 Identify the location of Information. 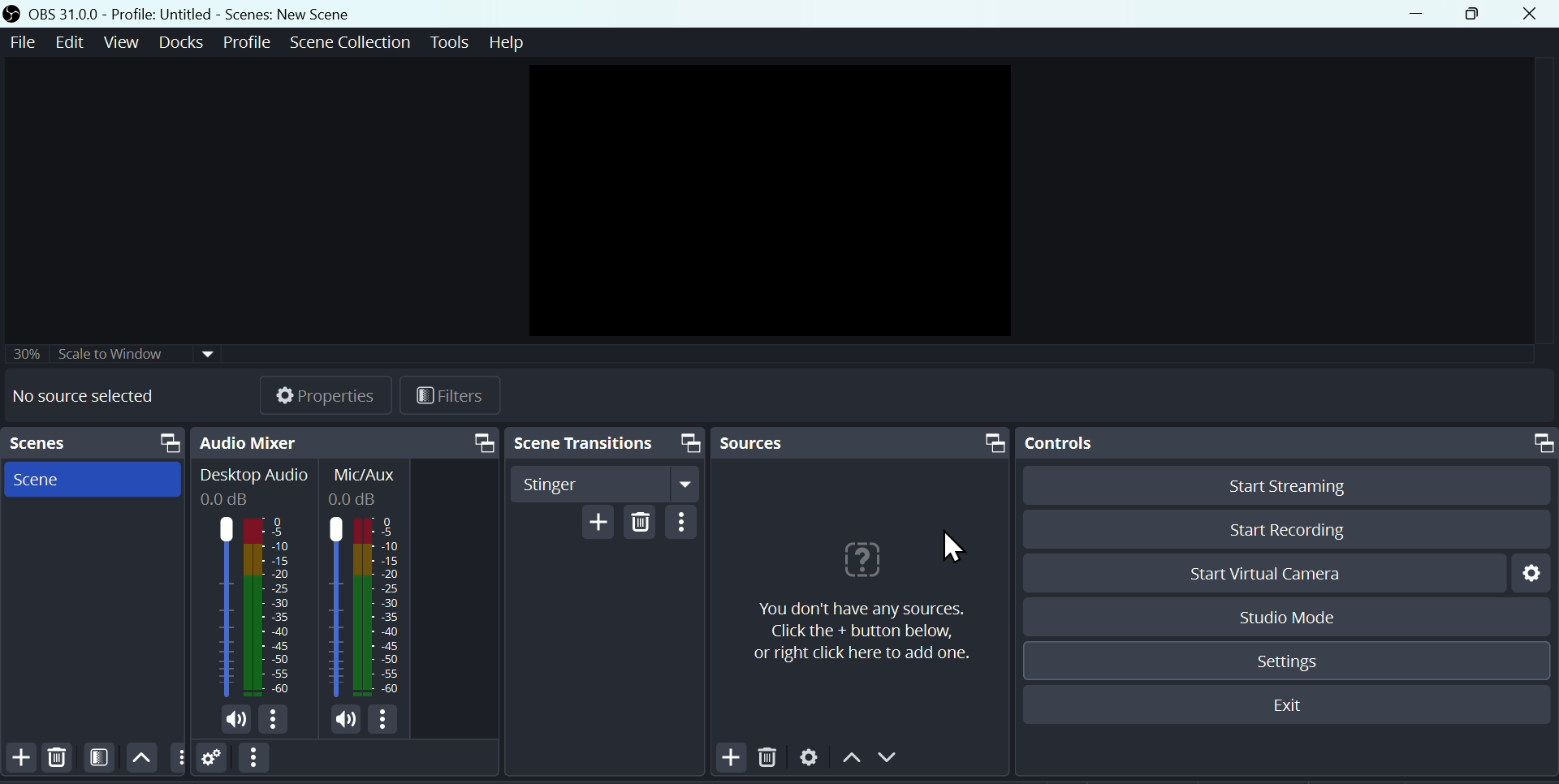
(875, 561).